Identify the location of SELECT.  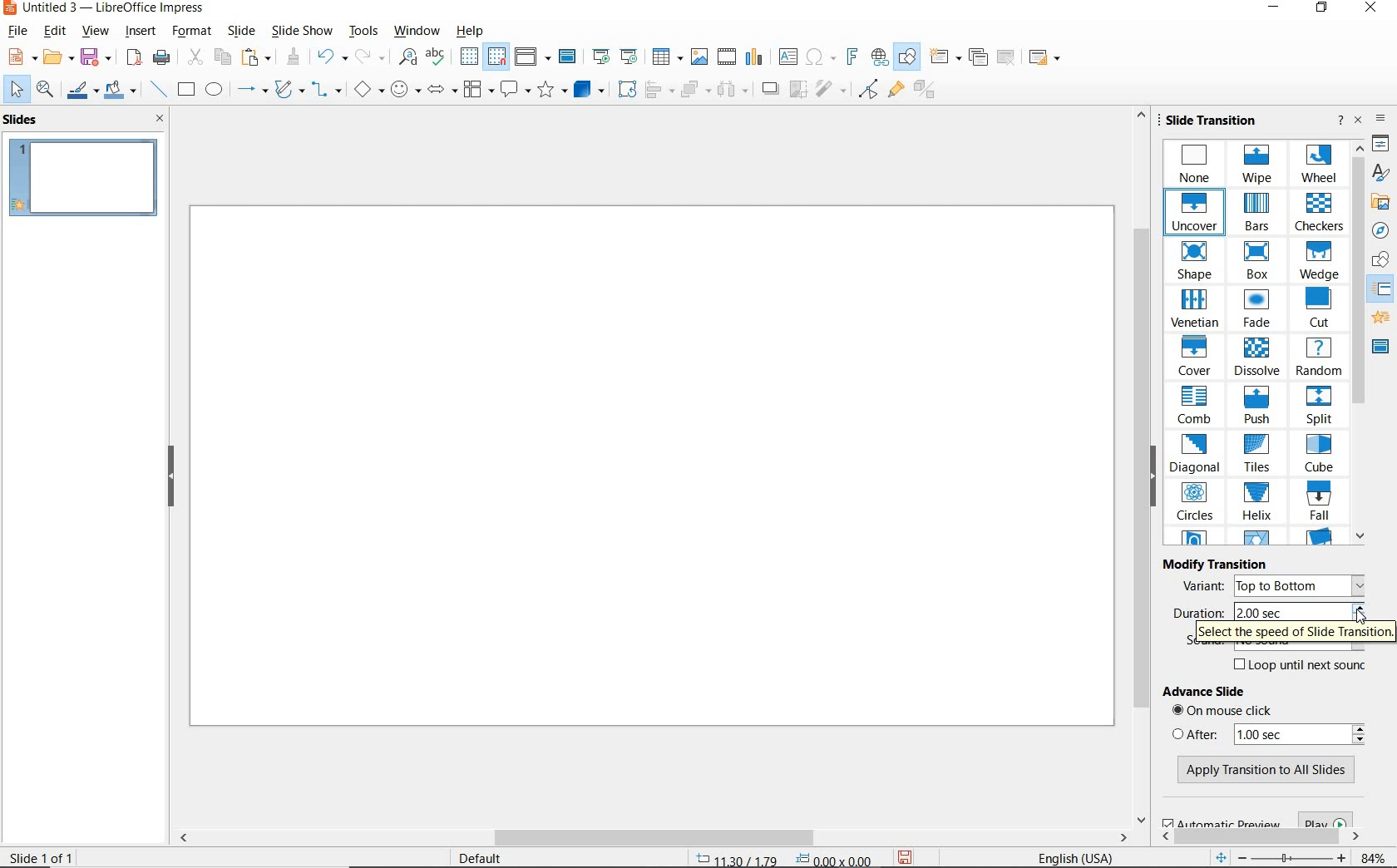
(13, 89).